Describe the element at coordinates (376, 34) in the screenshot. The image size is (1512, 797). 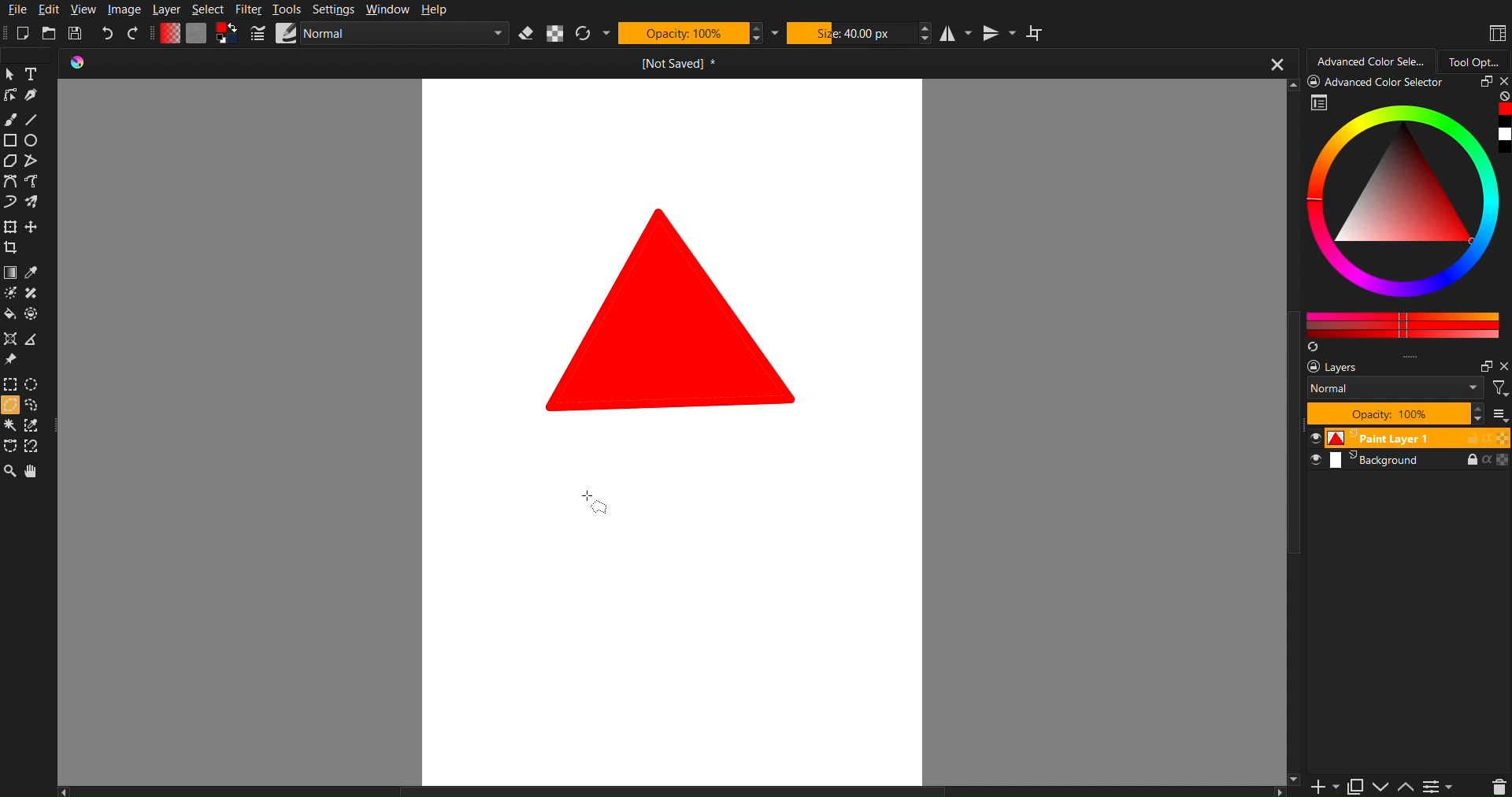
I see `Brush Settings` at that location.